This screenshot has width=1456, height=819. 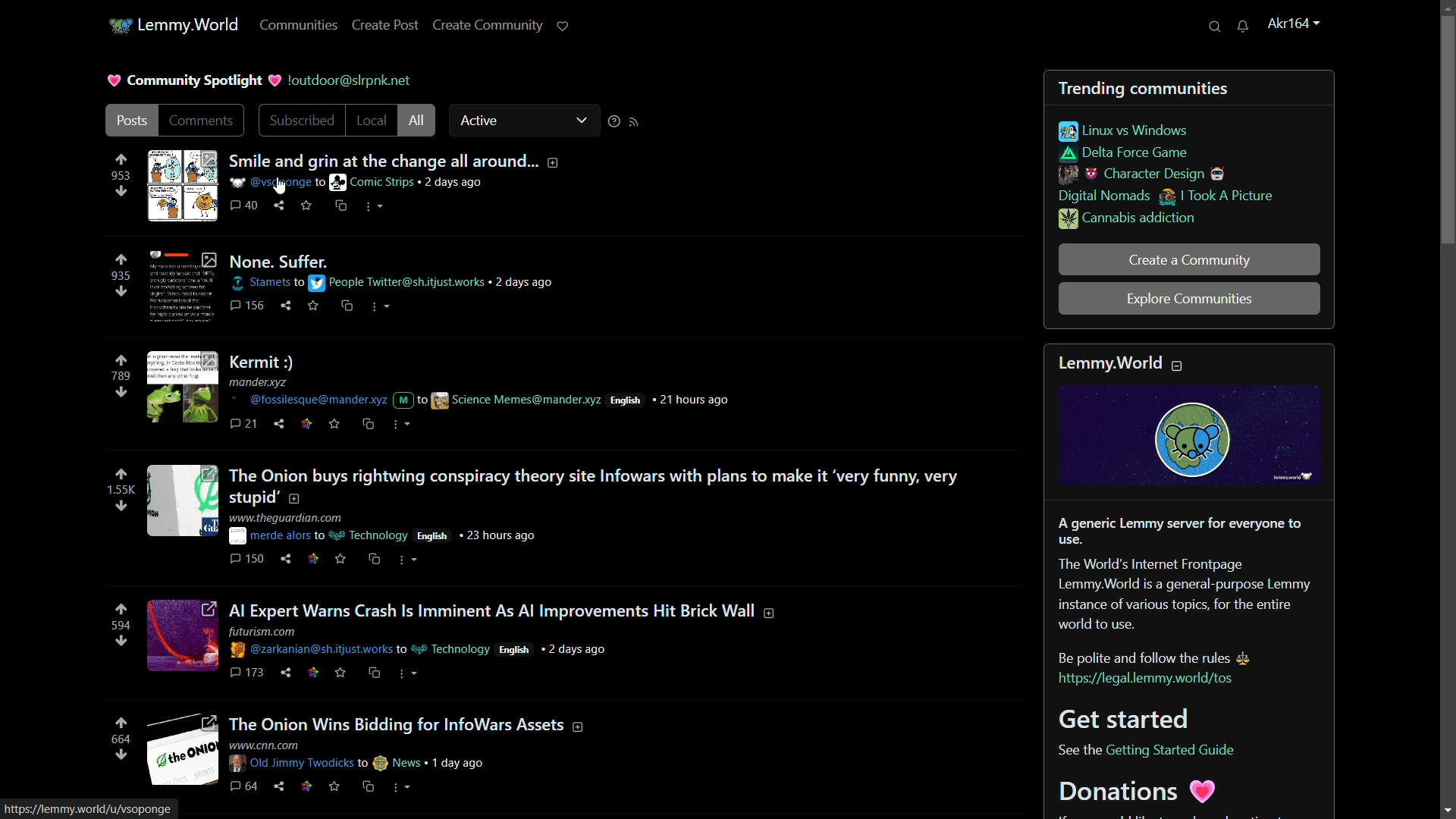 I want to click on post details, so click(x=362, y=182).